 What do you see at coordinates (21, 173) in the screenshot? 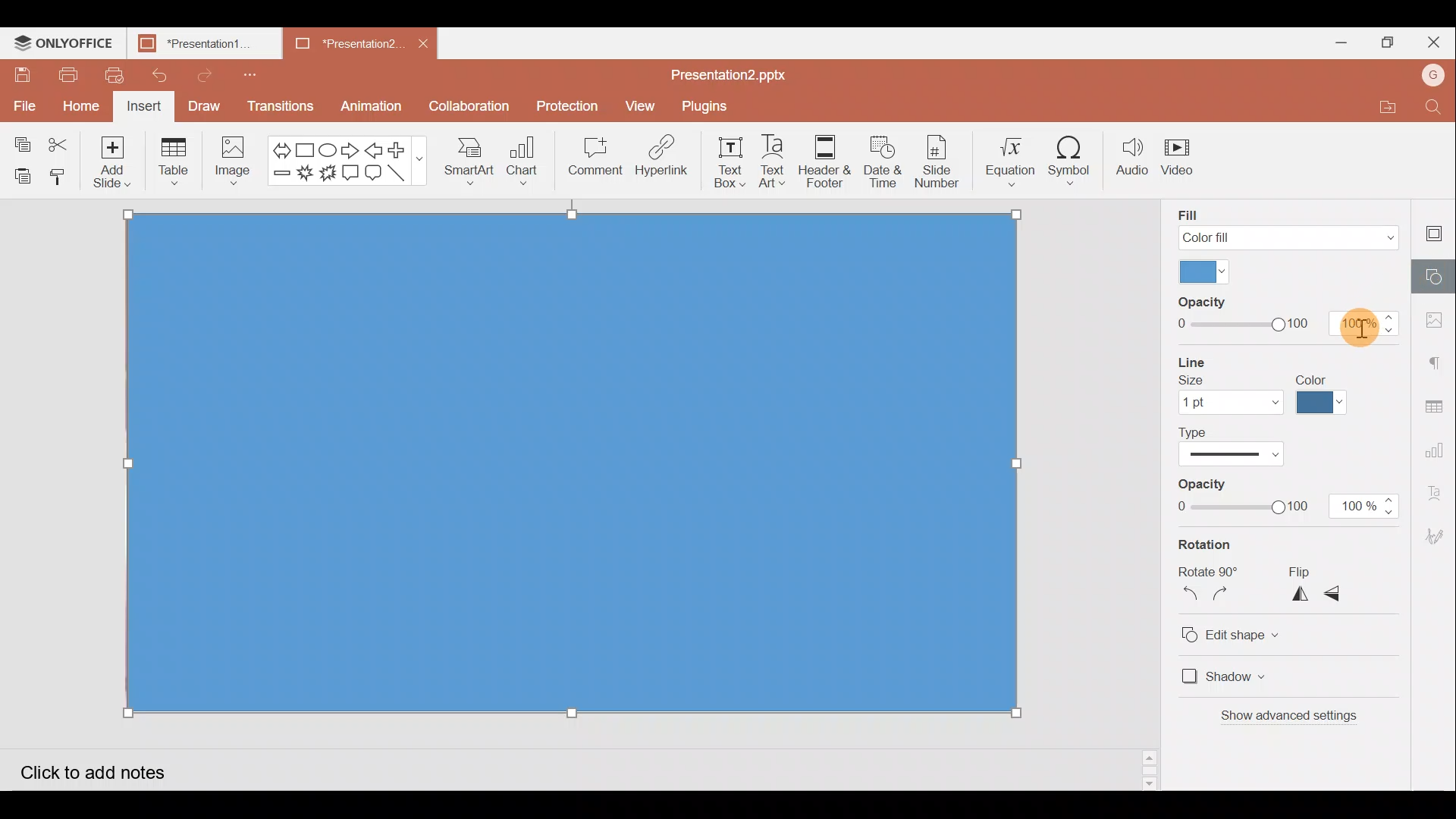
I see `Paste` at bounding box center [21, 173].